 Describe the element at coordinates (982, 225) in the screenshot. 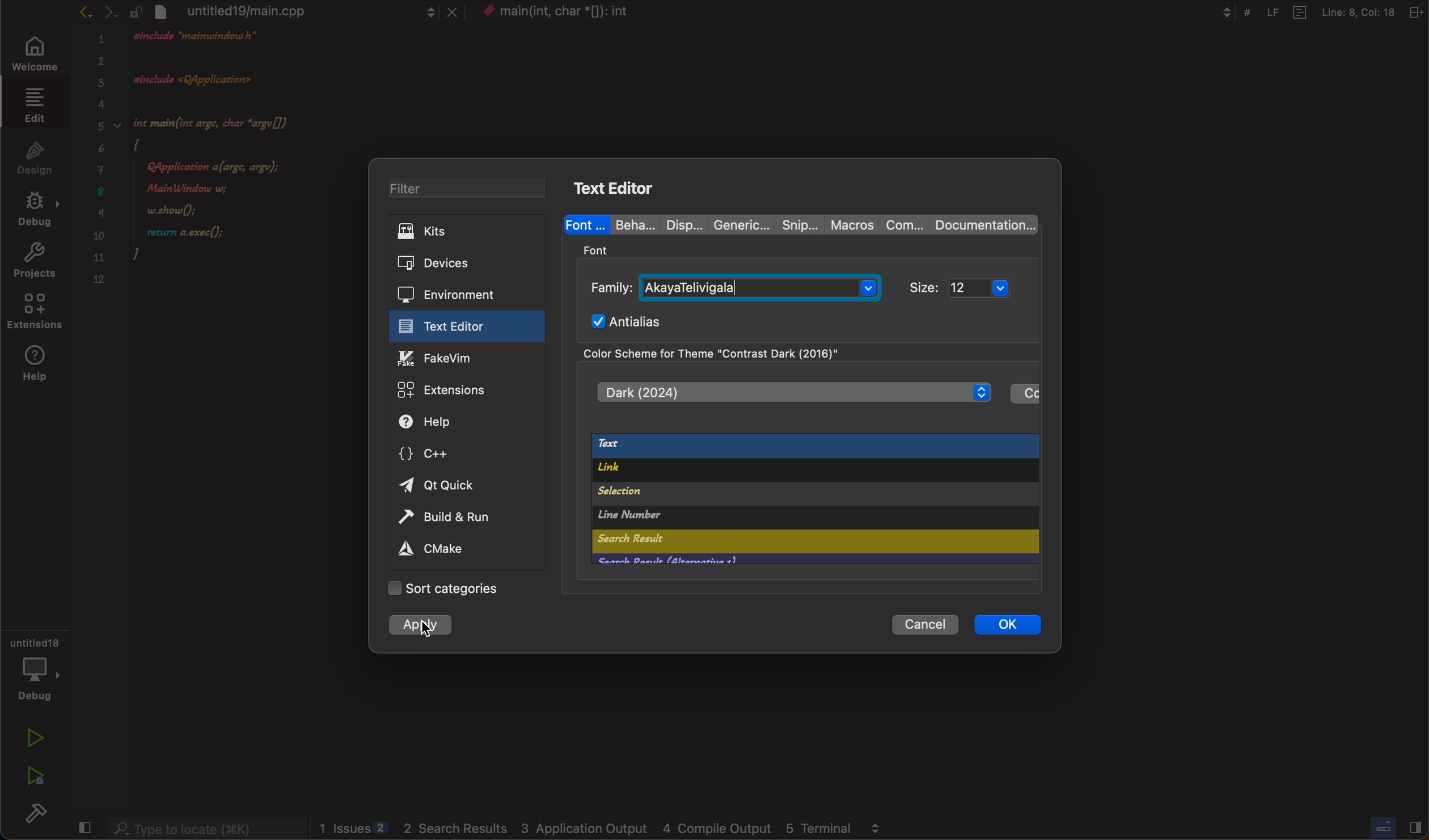

I see `documentation` at that location.